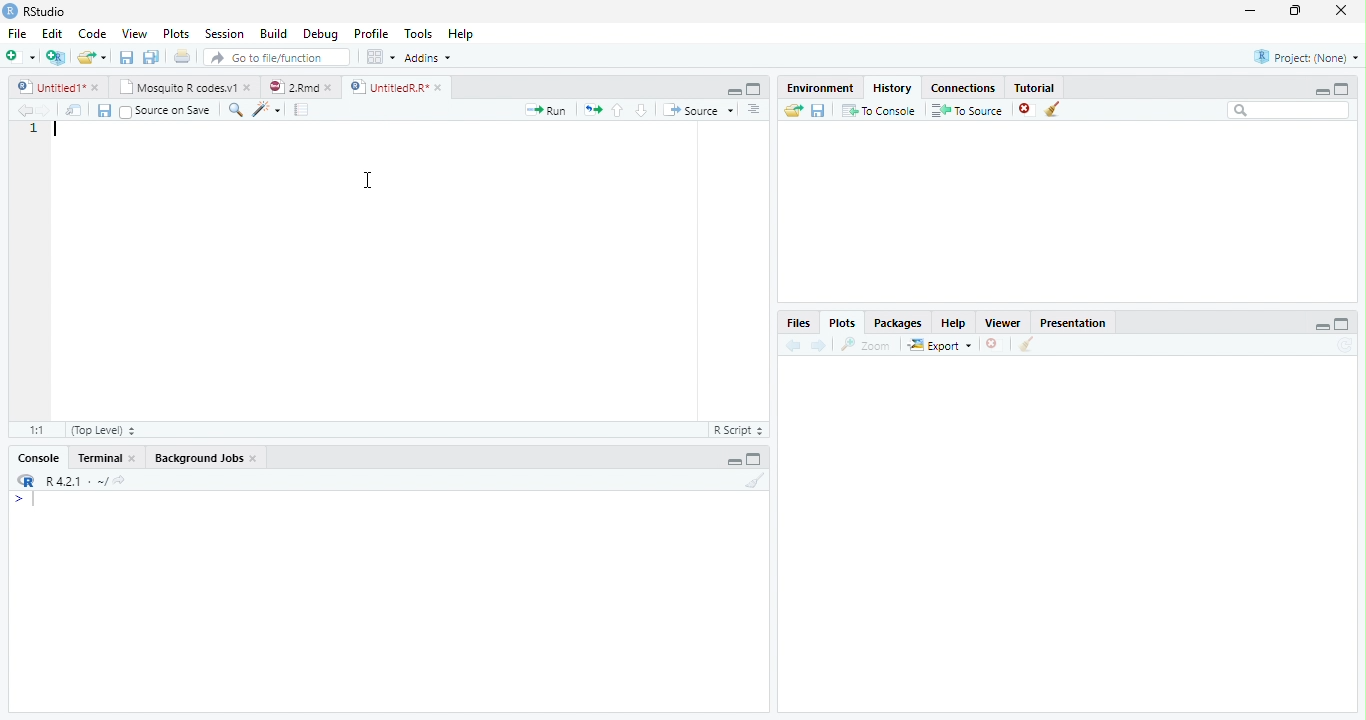 The height and width of the screenshot is (720, 1366). Describe the element at coordinates (1342, 88) in the screenshot. I see `maximize` at that location.